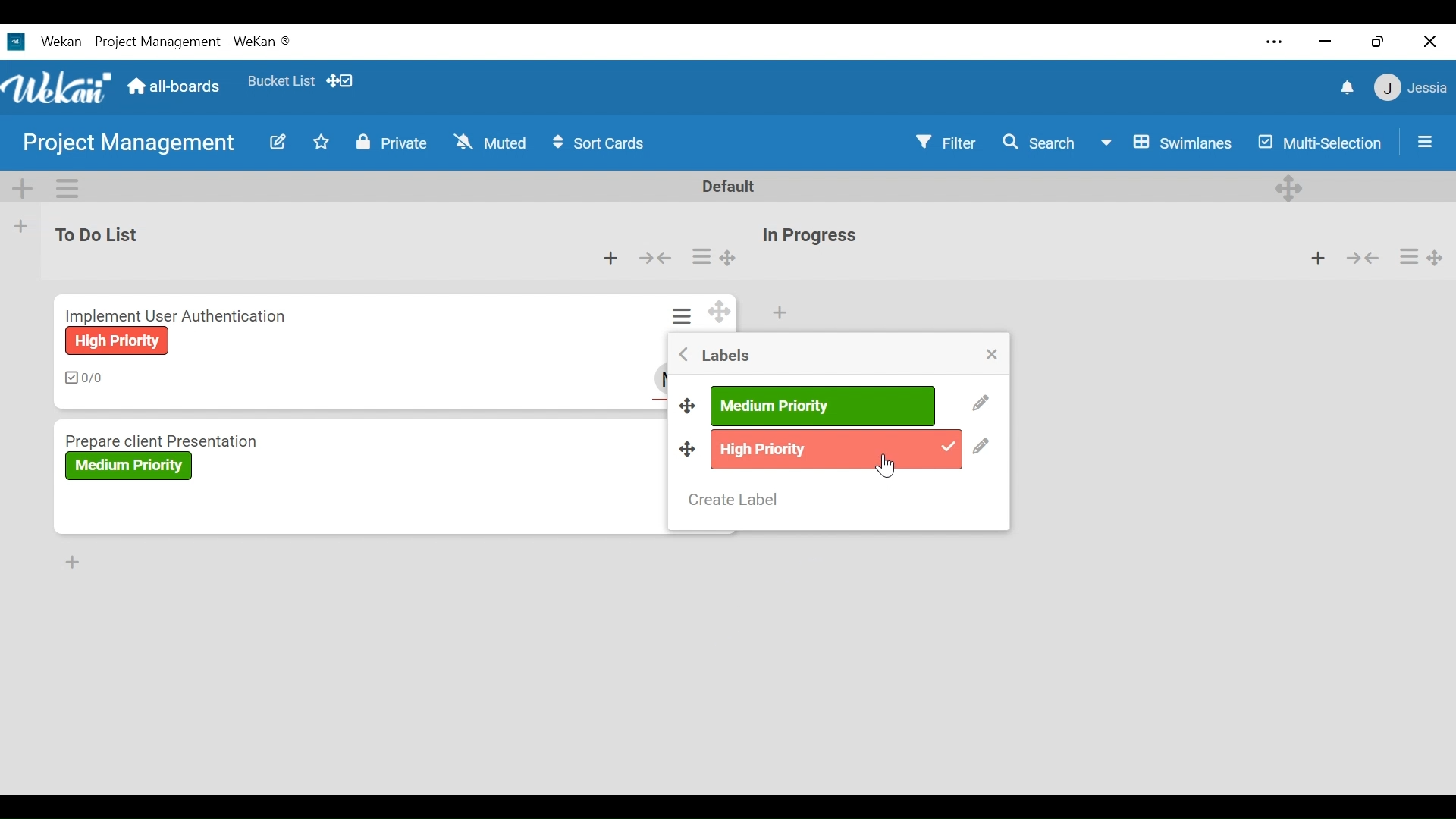 Image resolution: width=1456 pixels, height=819 pixels. I want to click on Swimlane Actions, so click(70, 188).